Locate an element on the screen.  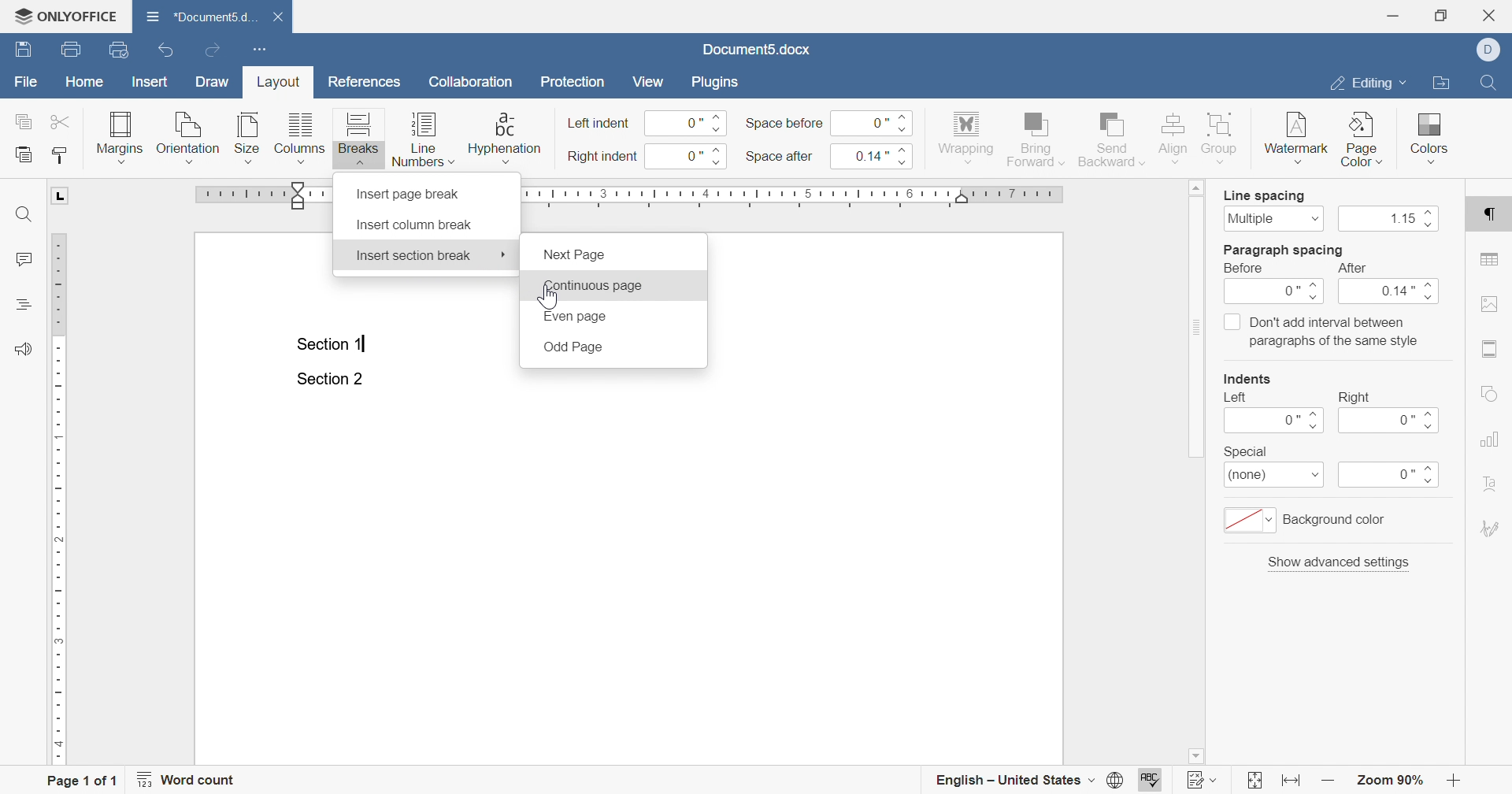
file is located at coordinates (27, 80).